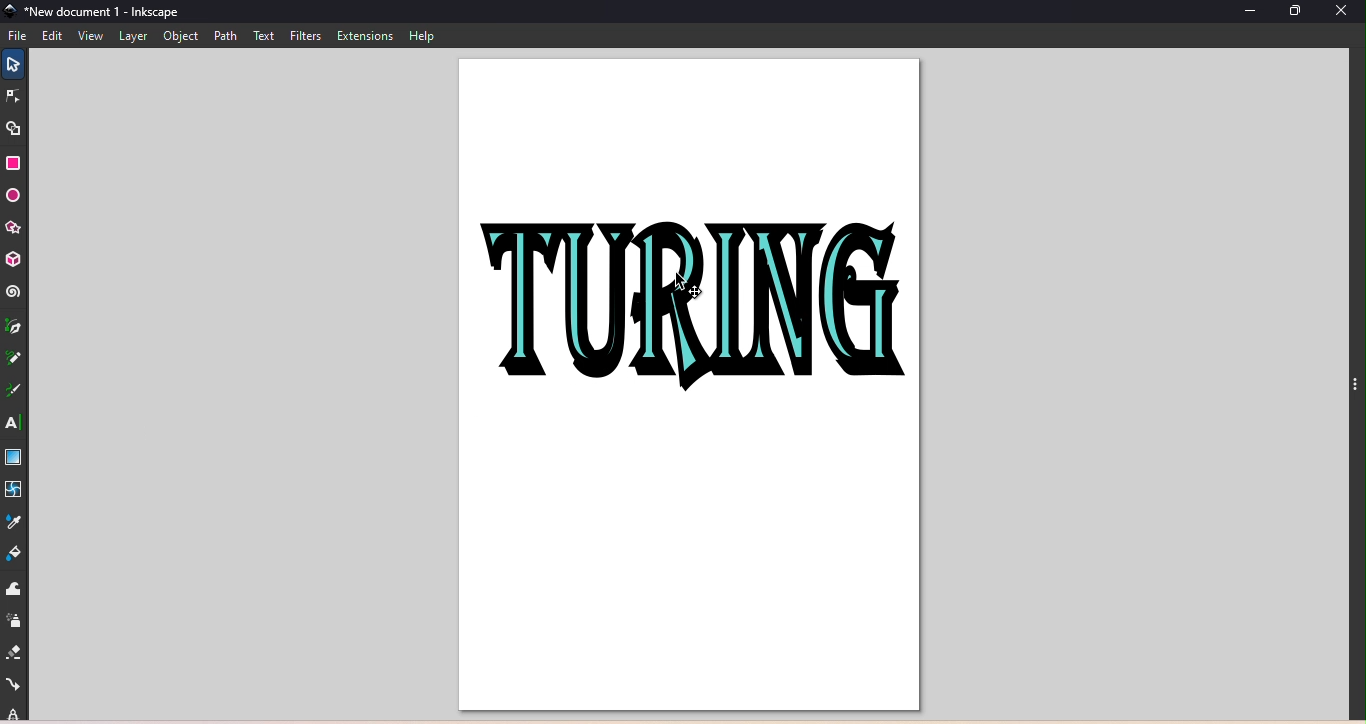  Describe the element at coordinates (88, 37) in the screenshot. I see `View` at that location.